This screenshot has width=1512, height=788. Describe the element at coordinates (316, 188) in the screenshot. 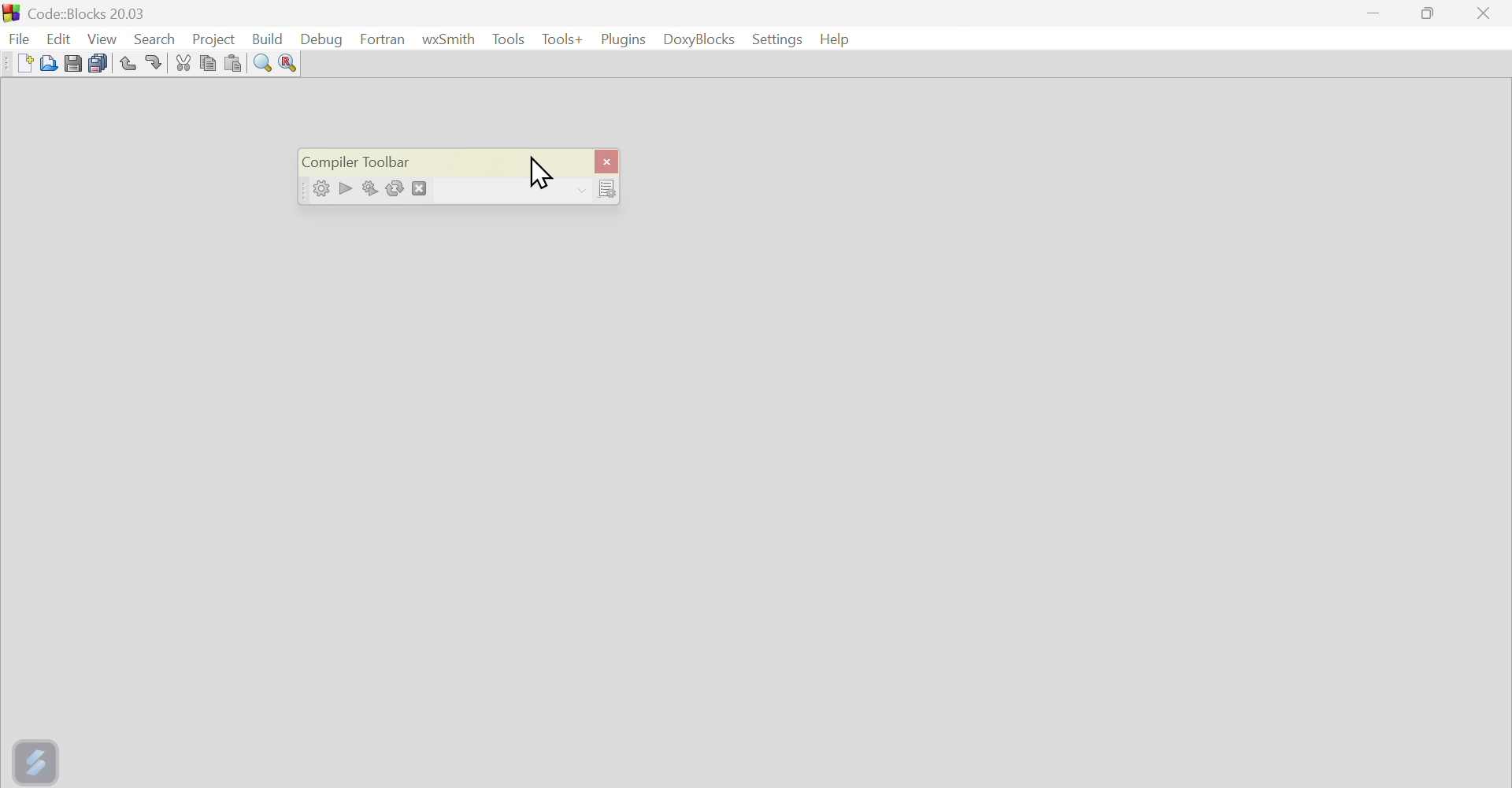

I see `Settings` at that location.